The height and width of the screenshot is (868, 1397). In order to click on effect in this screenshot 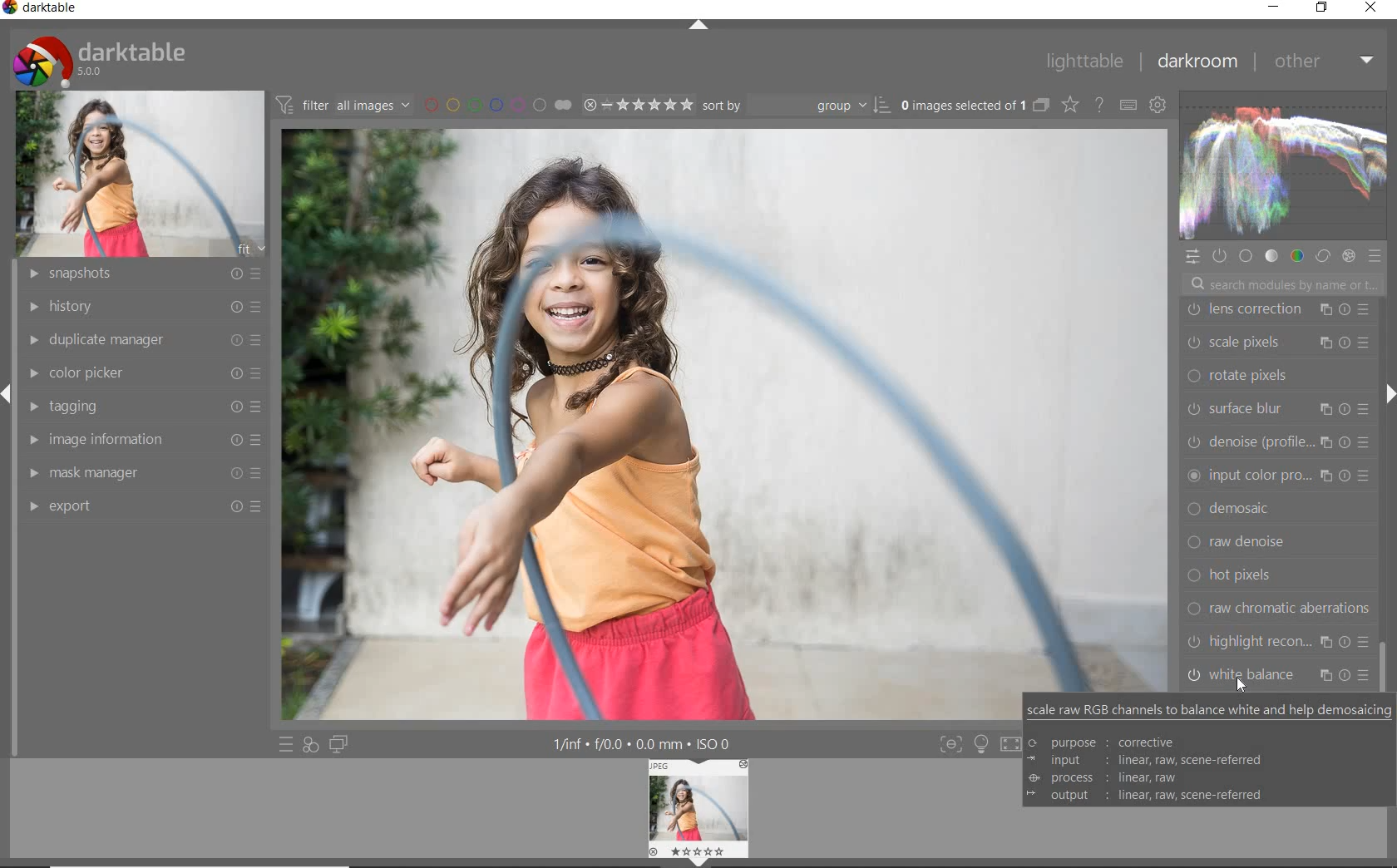, I will do `click(1348, 255)`.